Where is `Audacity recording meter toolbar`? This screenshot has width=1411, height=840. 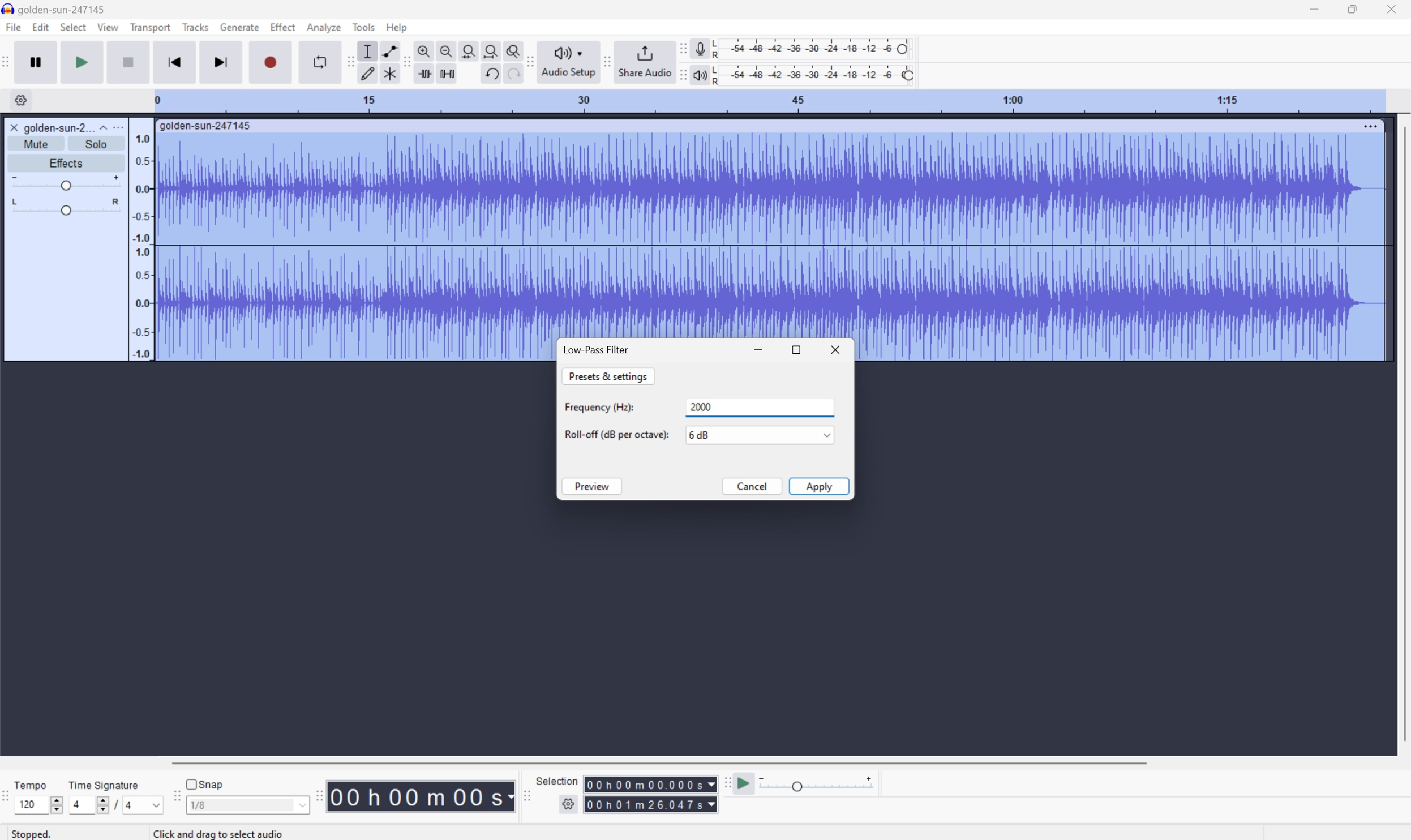
Audacity recording meter toolbar is located at coordinates (680, 49).